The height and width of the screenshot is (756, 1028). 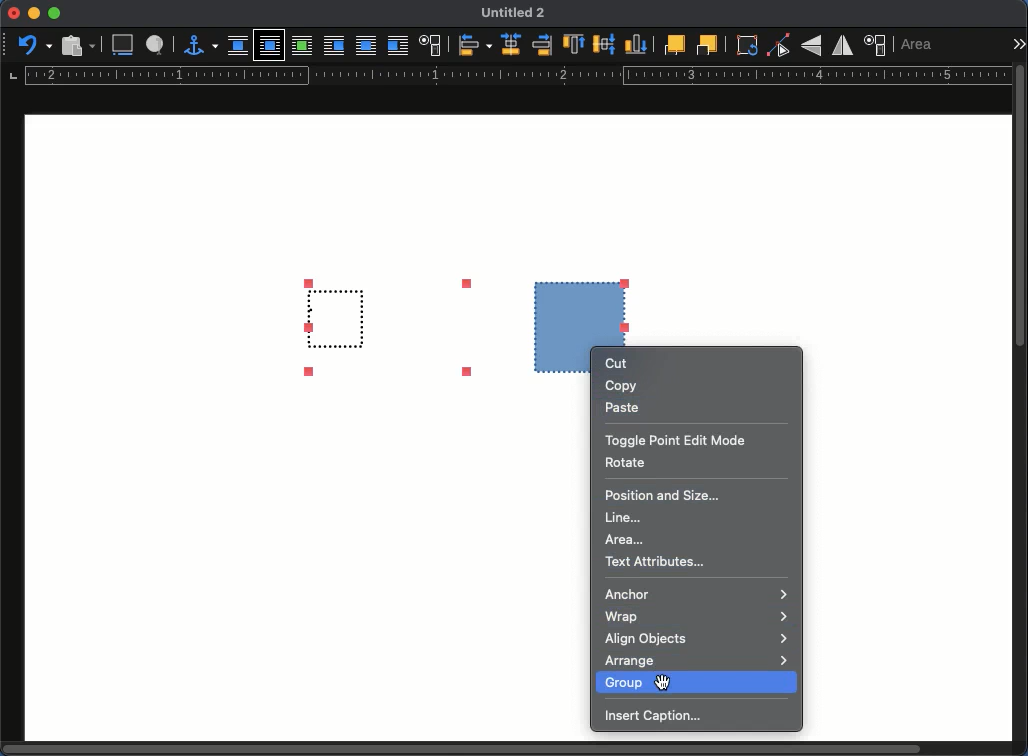 What do you see at coordinates (574, 45) in the screenshot?
I see `top` at bounding box center [574, 45].